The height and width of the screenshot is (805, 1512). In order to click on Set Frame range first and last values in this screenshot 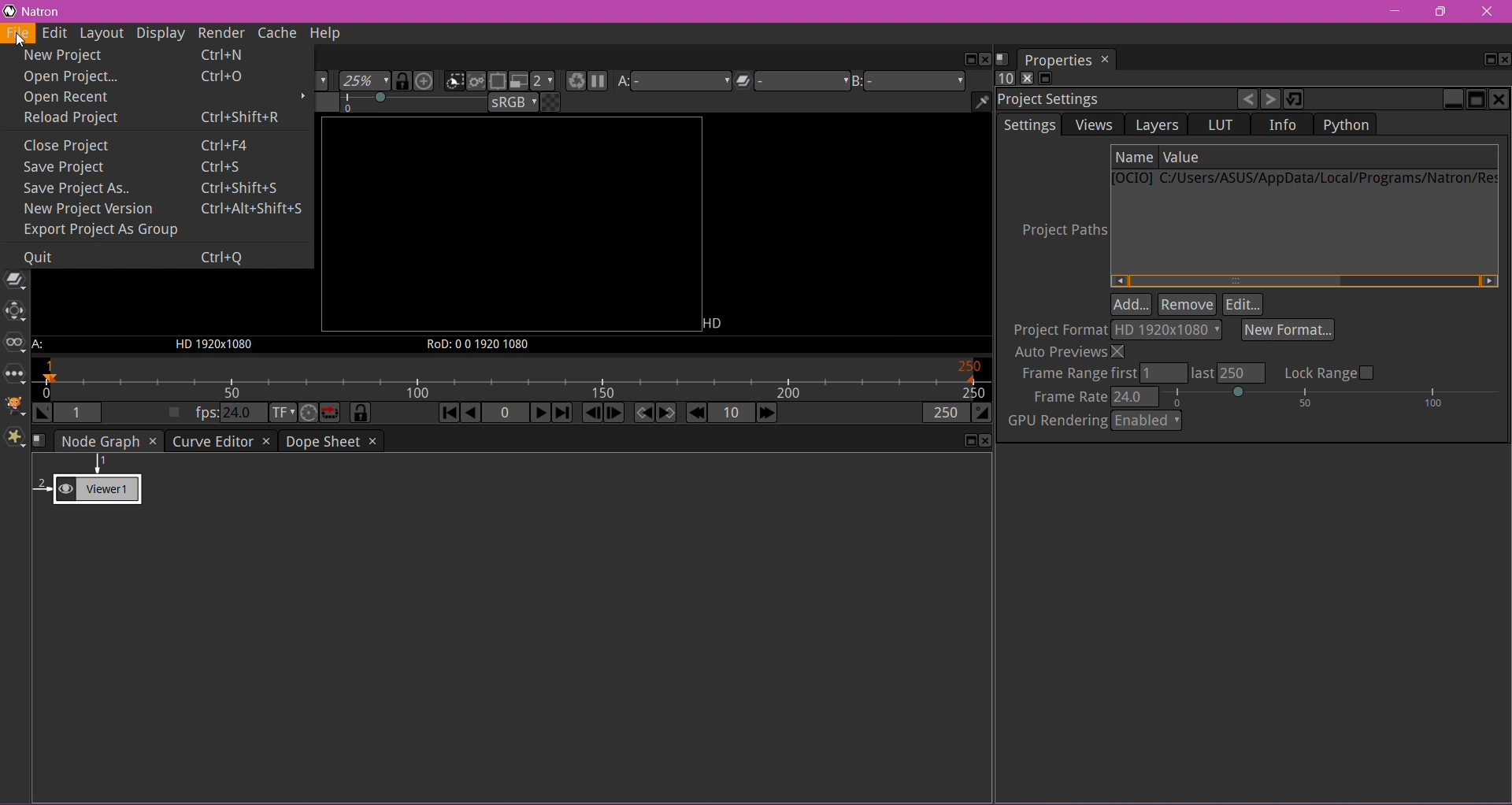, I will do `click(1141, 373)`.